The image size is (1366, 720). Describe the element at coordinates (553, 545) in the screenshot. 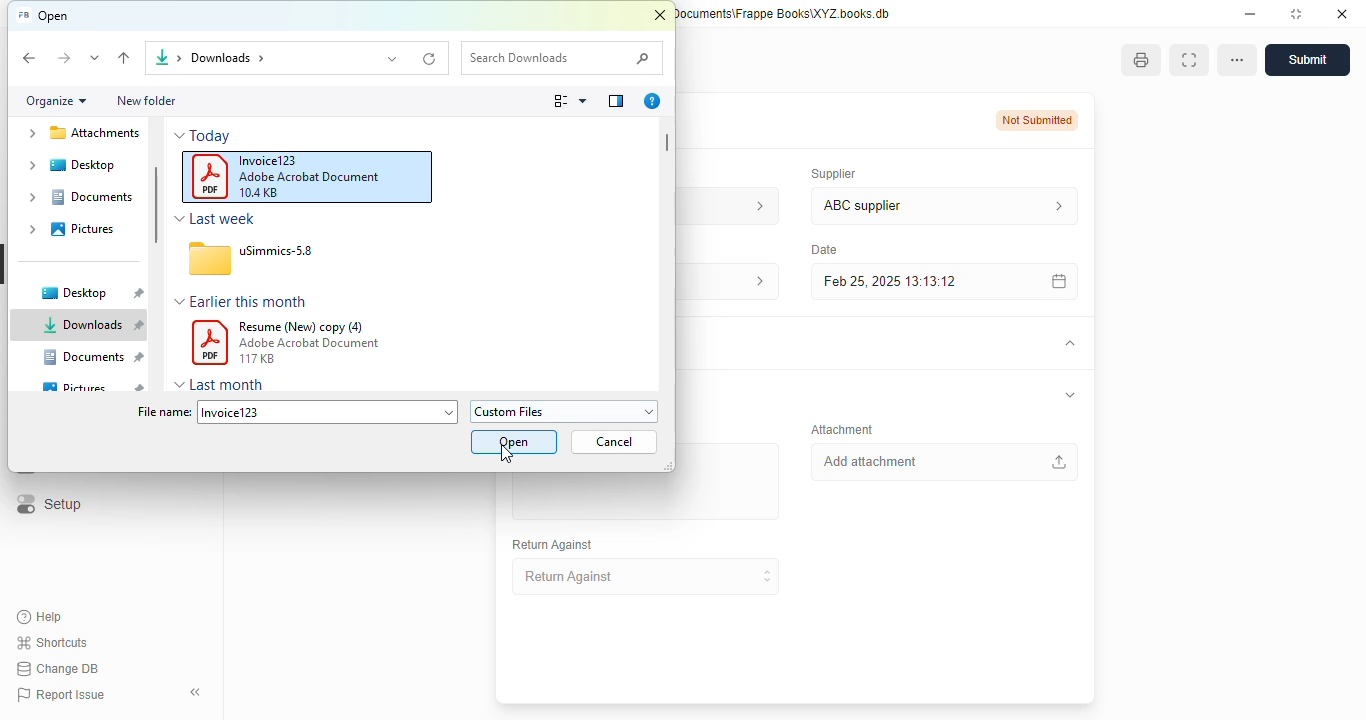

I see `return against` at that location.